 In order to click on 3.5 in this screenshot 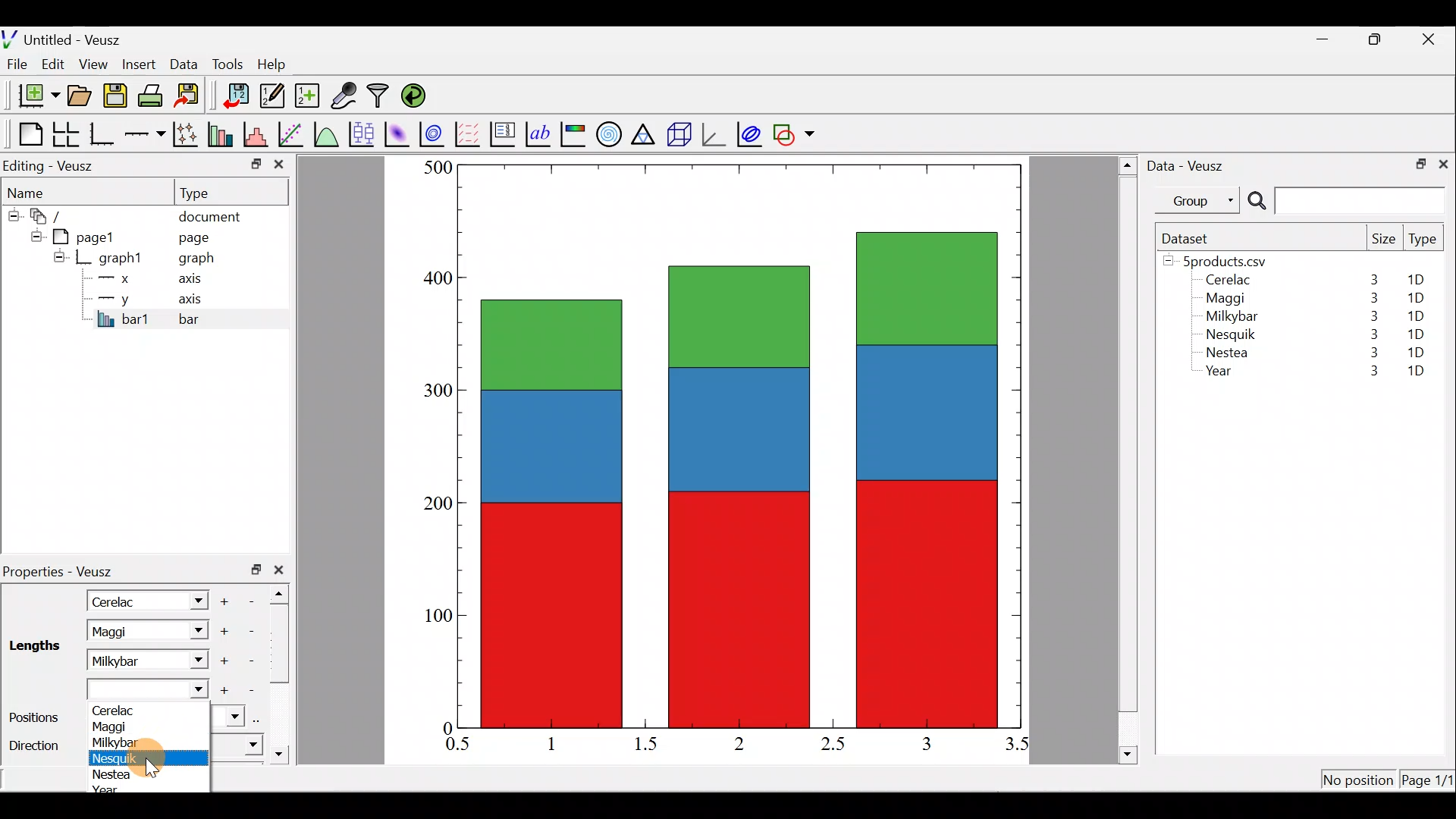, I will do `click(1018, 747)`.